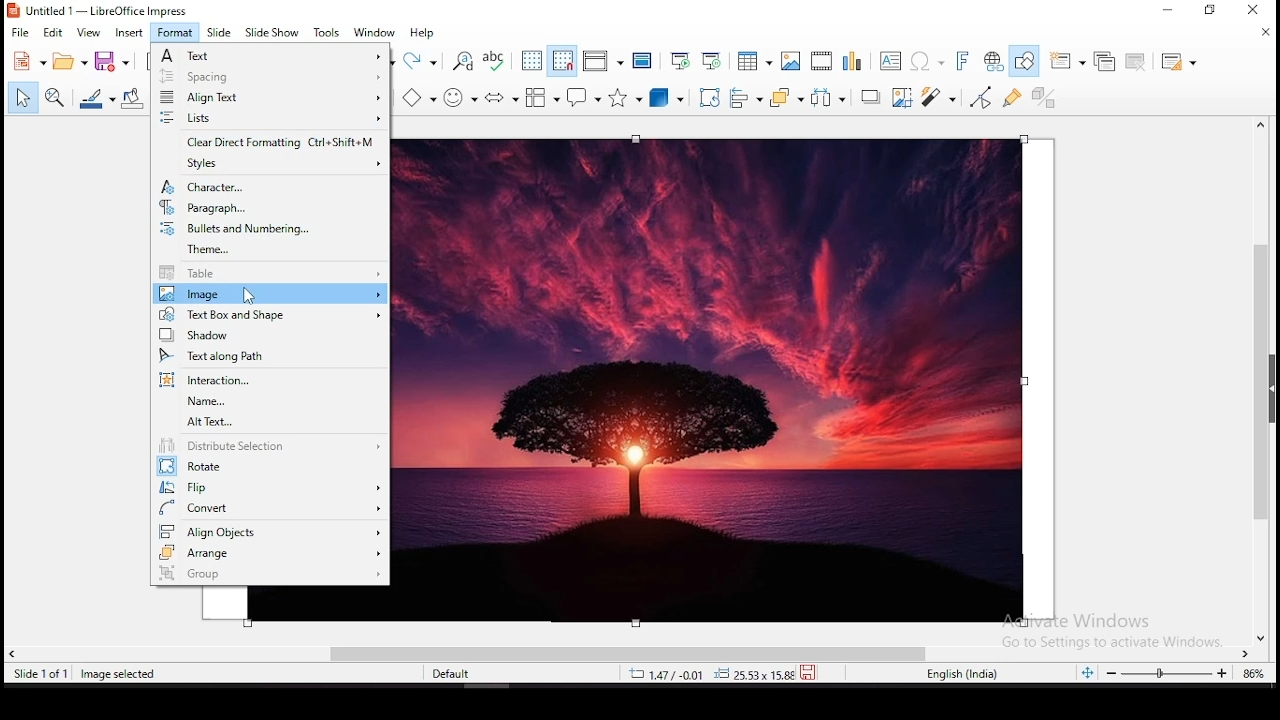 The height and width of the screenshot is (720, 1280). What do you see at coordinates (1253, 11) in the screenshot?
I see `close window` at bounding box center [1253, 11].